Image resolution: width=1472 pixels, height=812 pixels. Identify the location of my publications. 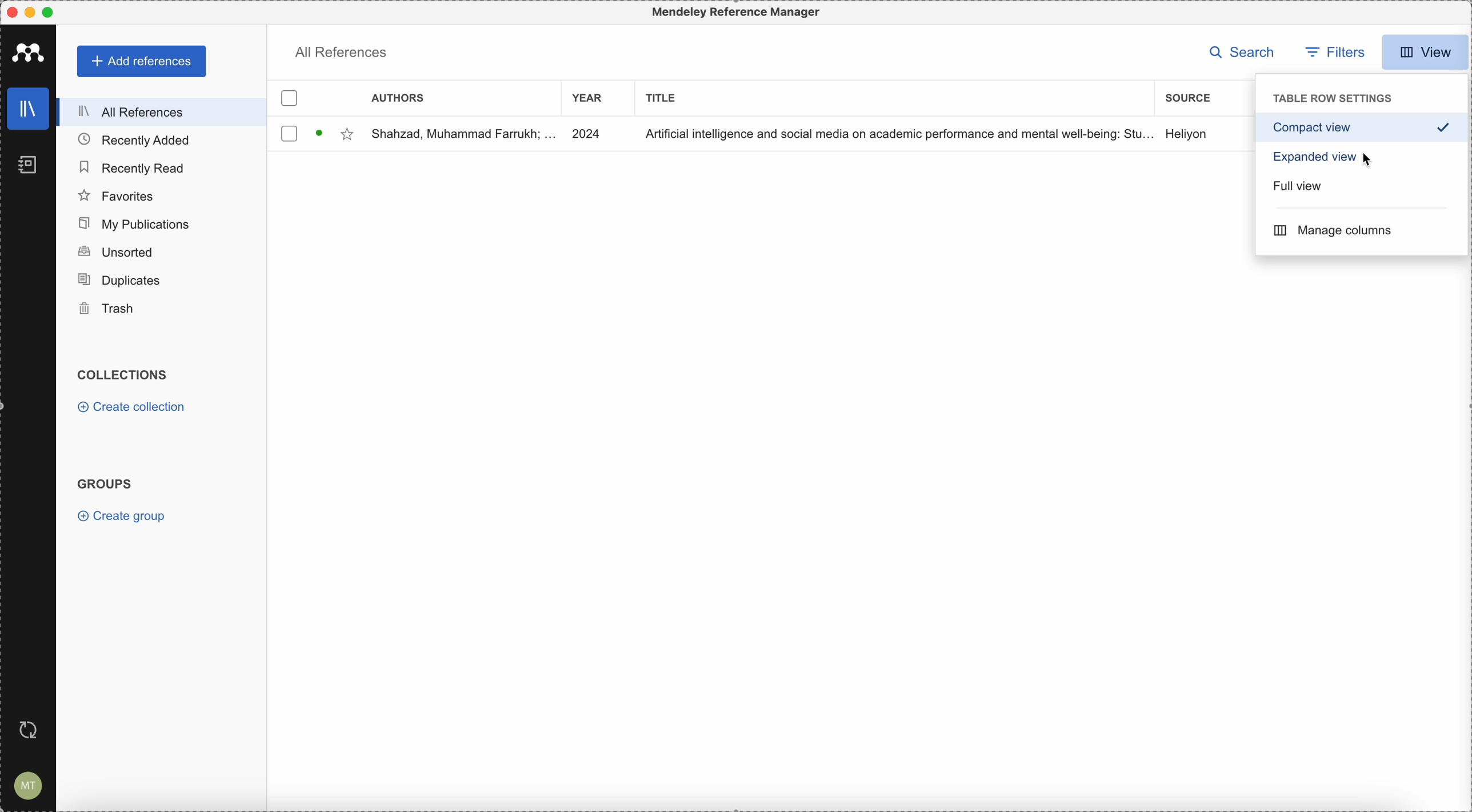
(133, 223).